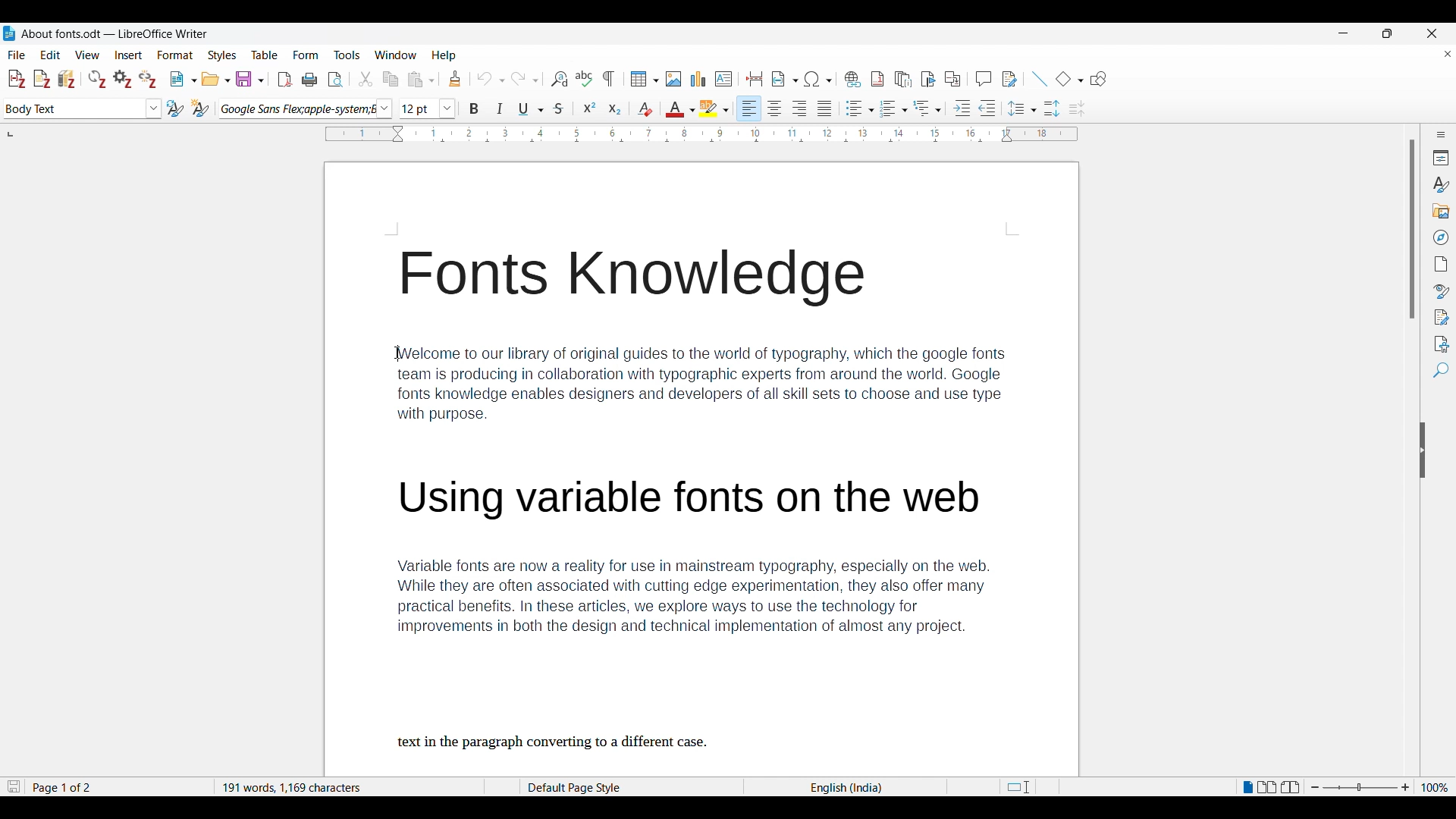 The width and height of the screenshot is (1456, 819). Describe the element at coordinates (176, 55) in the screenshot. I see `Format menu` at that location.